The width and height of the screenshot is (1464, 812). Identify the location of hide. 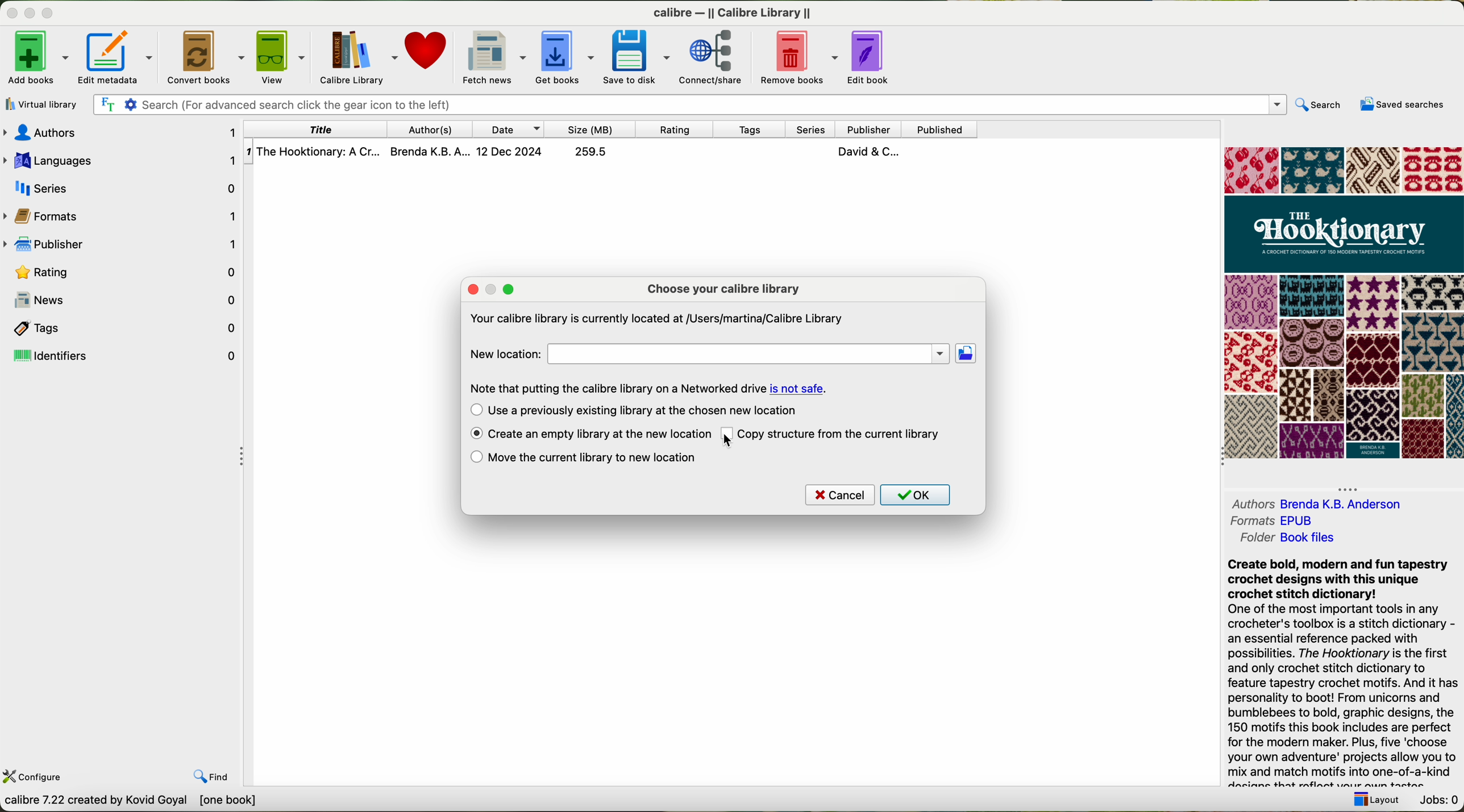
(1349, 487).